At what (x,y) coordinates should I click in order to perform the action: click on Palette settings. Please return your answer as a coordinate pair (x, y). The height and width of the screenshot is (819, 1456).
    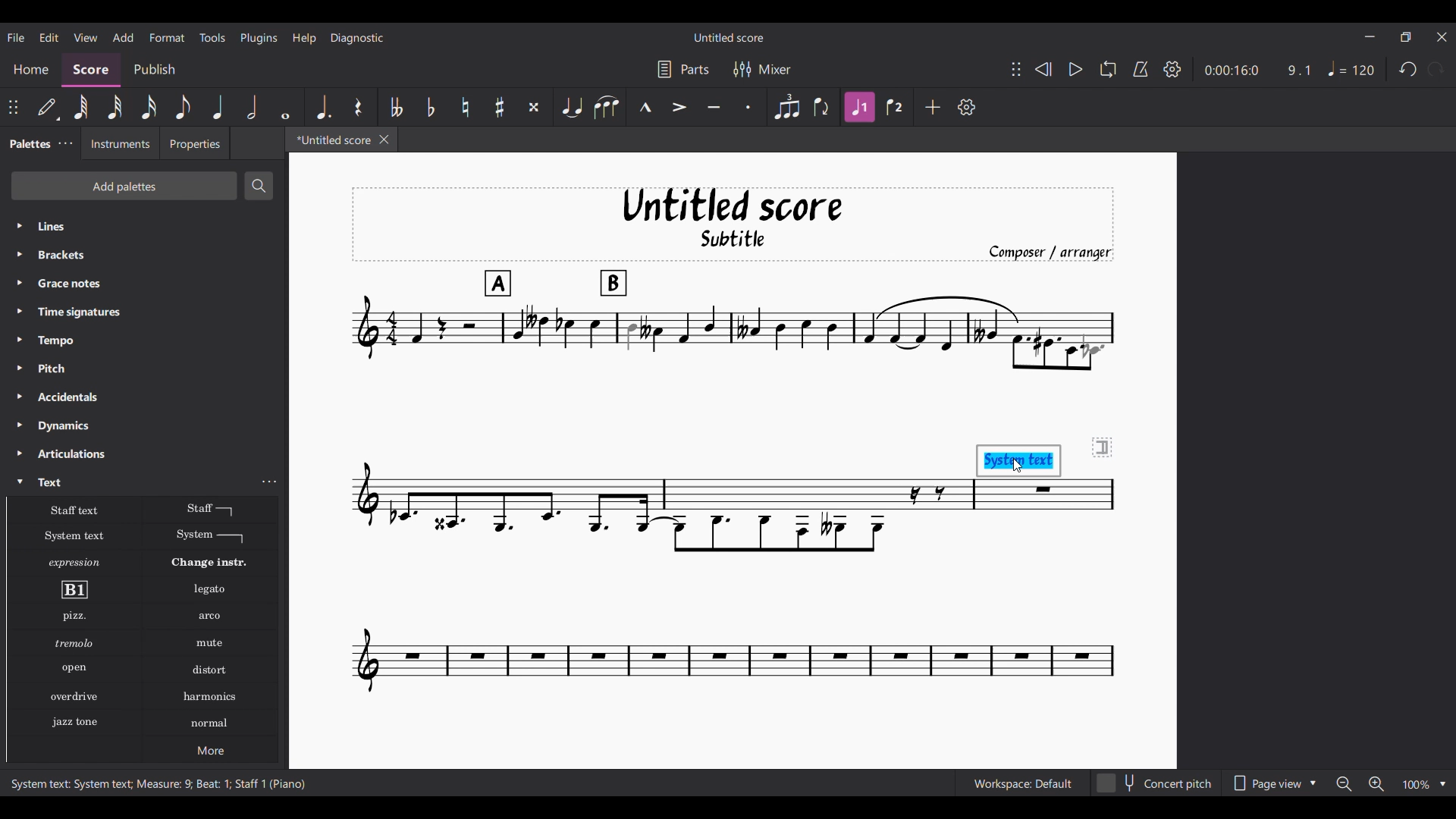
    Looking at the image, I should click on (66, 143).